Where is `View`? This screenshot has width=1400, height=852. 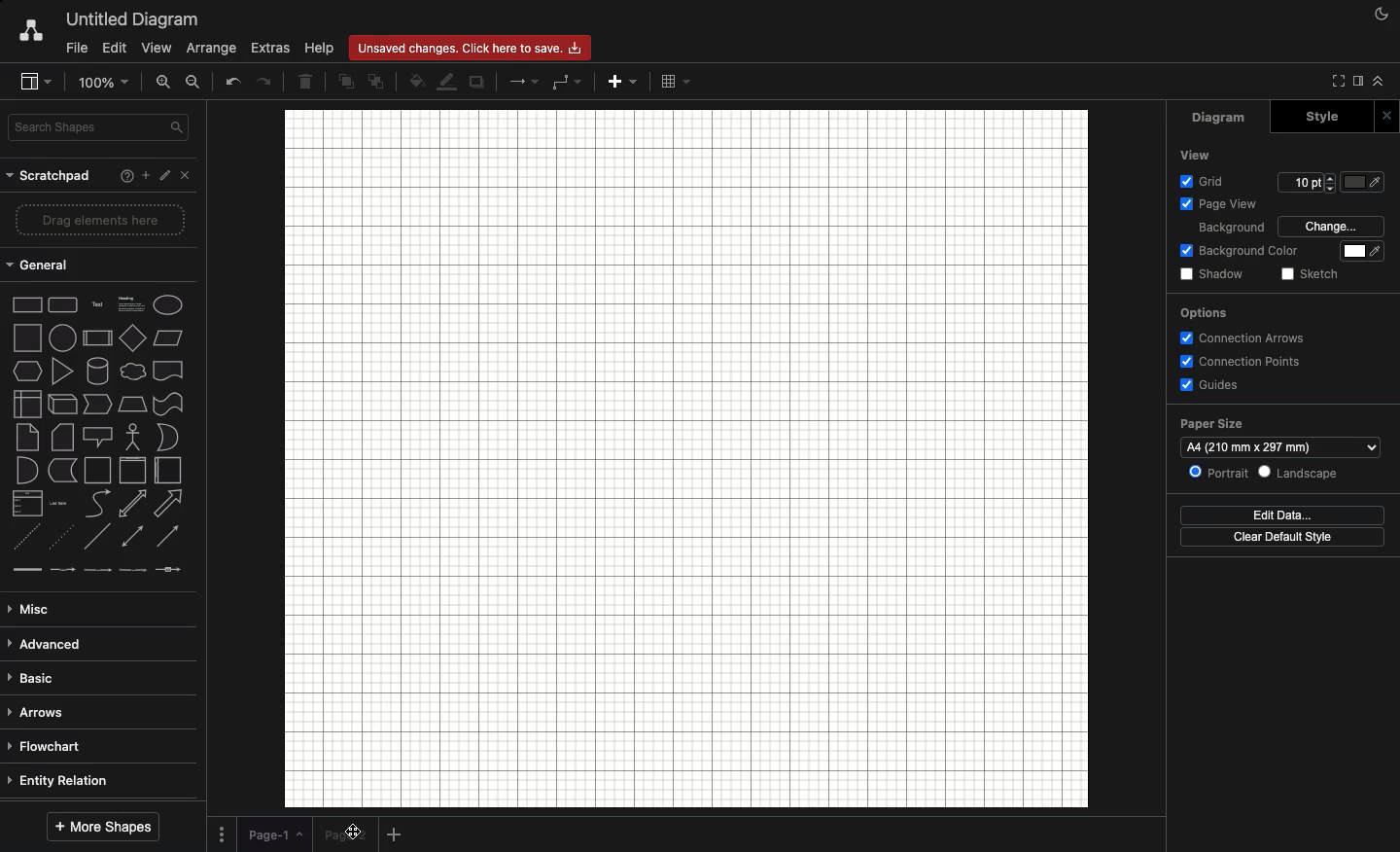 View is located at coordinates (1195, 155).